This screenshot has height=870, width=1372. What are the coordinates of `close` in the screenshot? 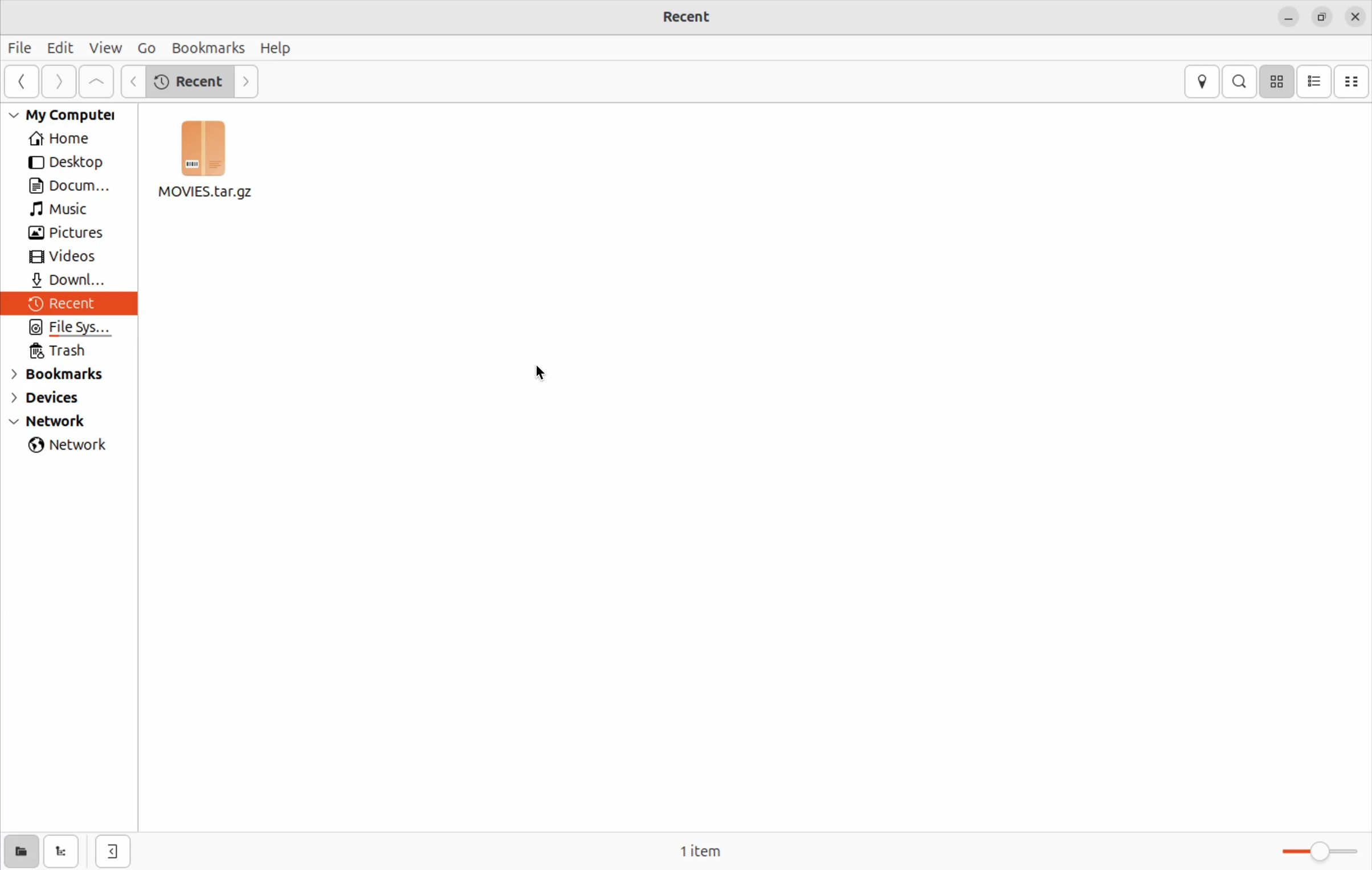 It's located at (1355, 15).